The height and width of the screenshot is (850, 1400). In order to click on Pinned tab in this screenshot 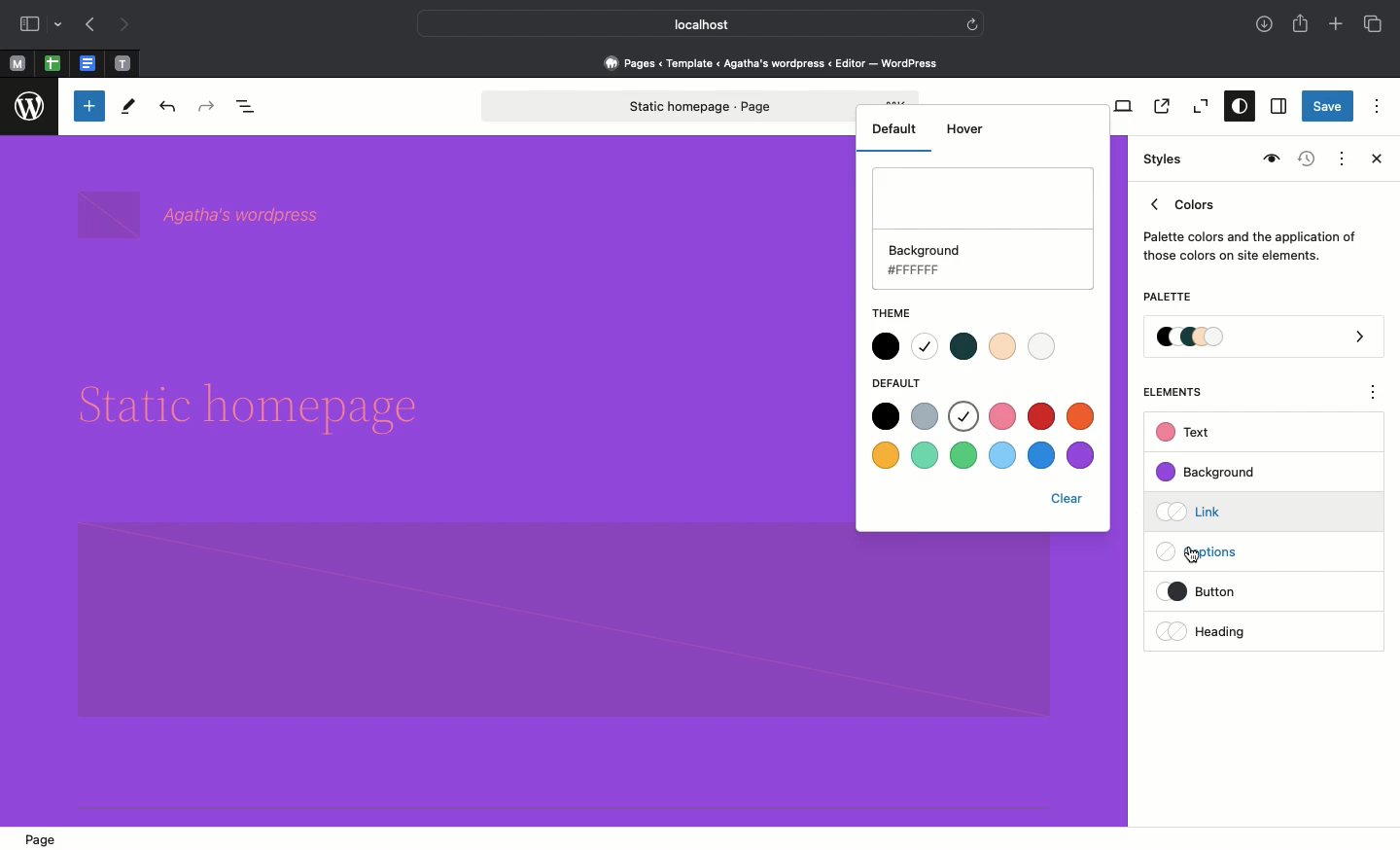, I will do `click(52, 64)`.